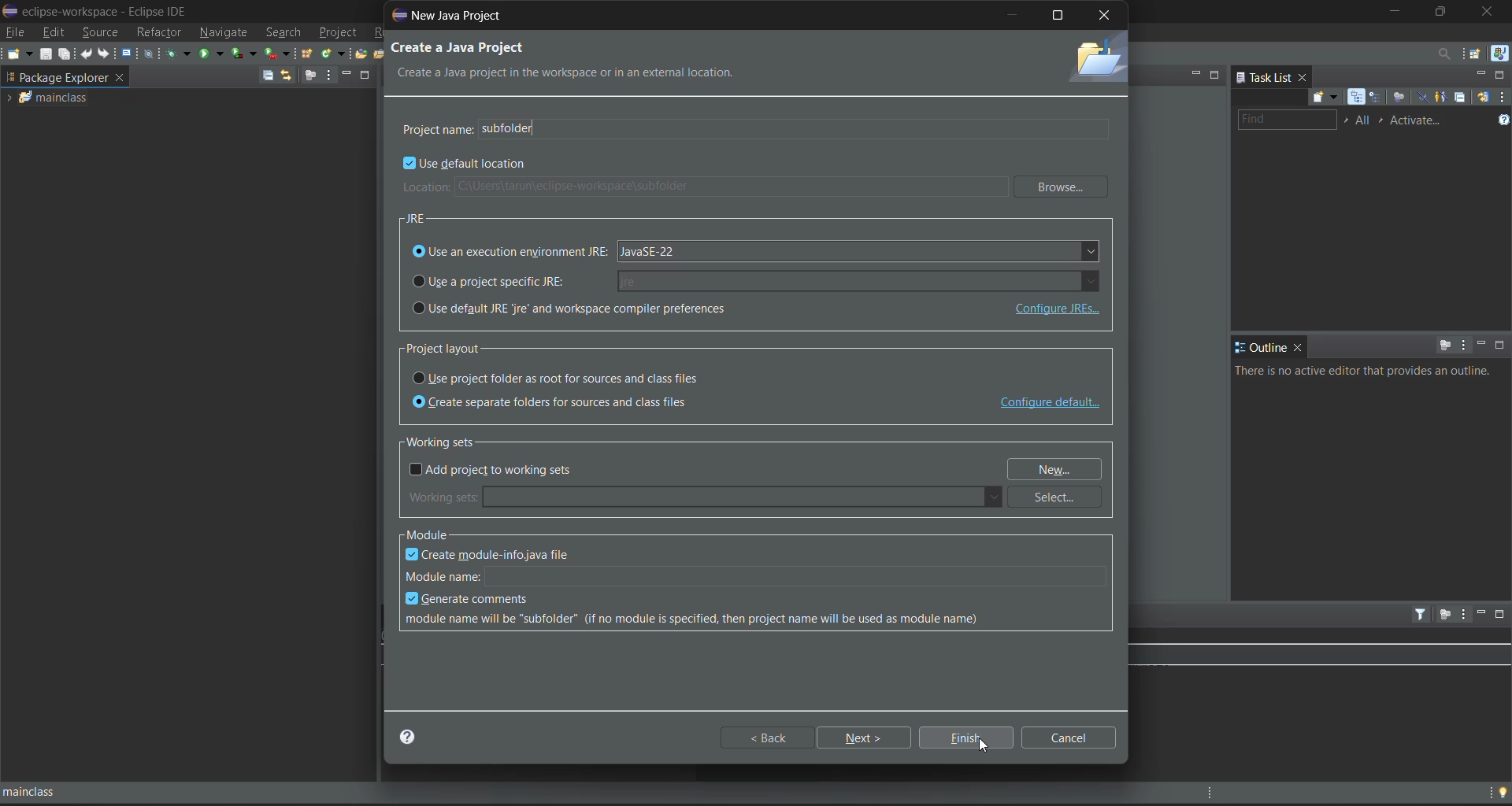 The width and height of the screenshot is (1512, 806). I want to click on info, so click(1367, 371).